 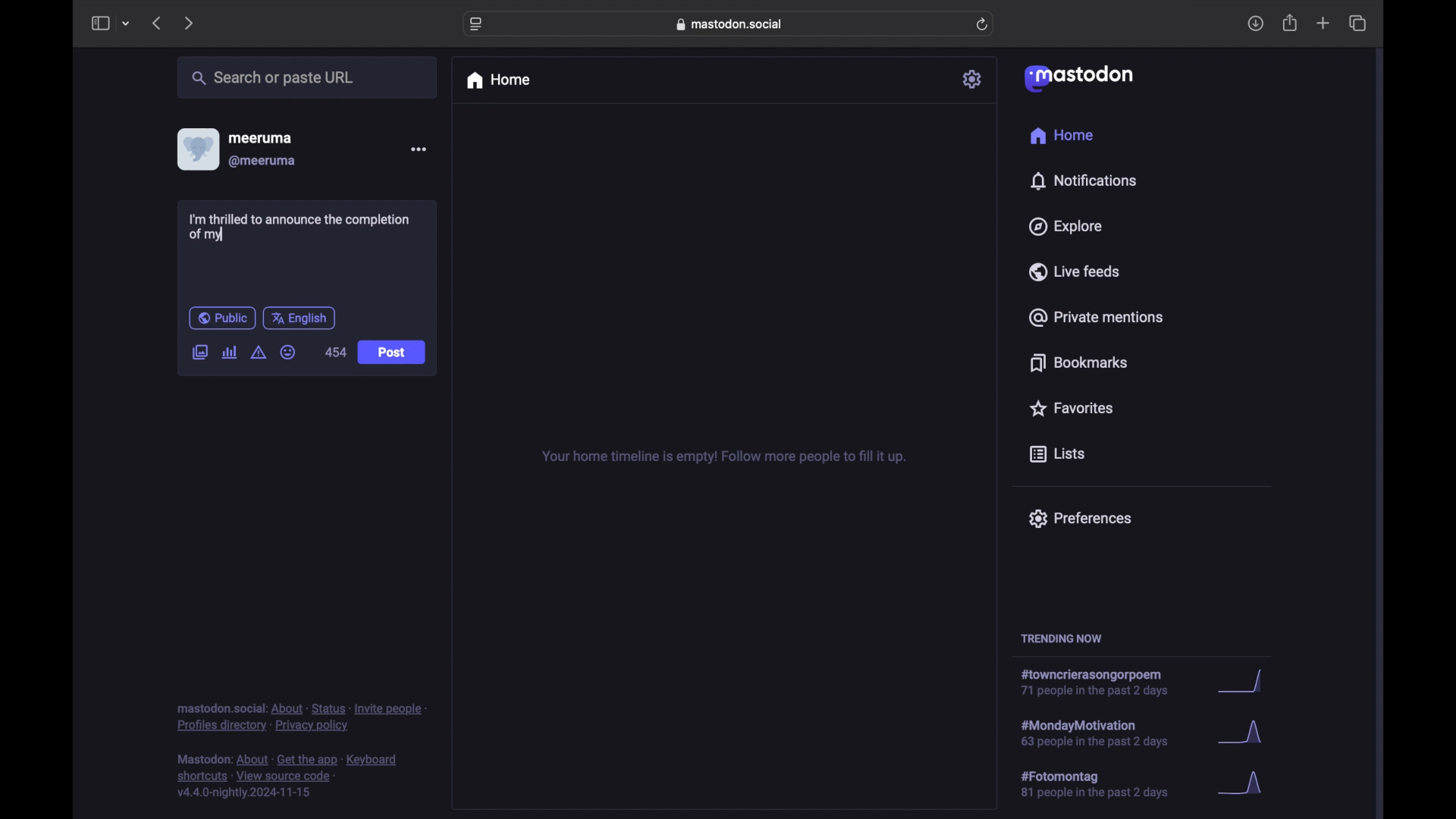 I want to click on graph, so click(x=1246, y=682).